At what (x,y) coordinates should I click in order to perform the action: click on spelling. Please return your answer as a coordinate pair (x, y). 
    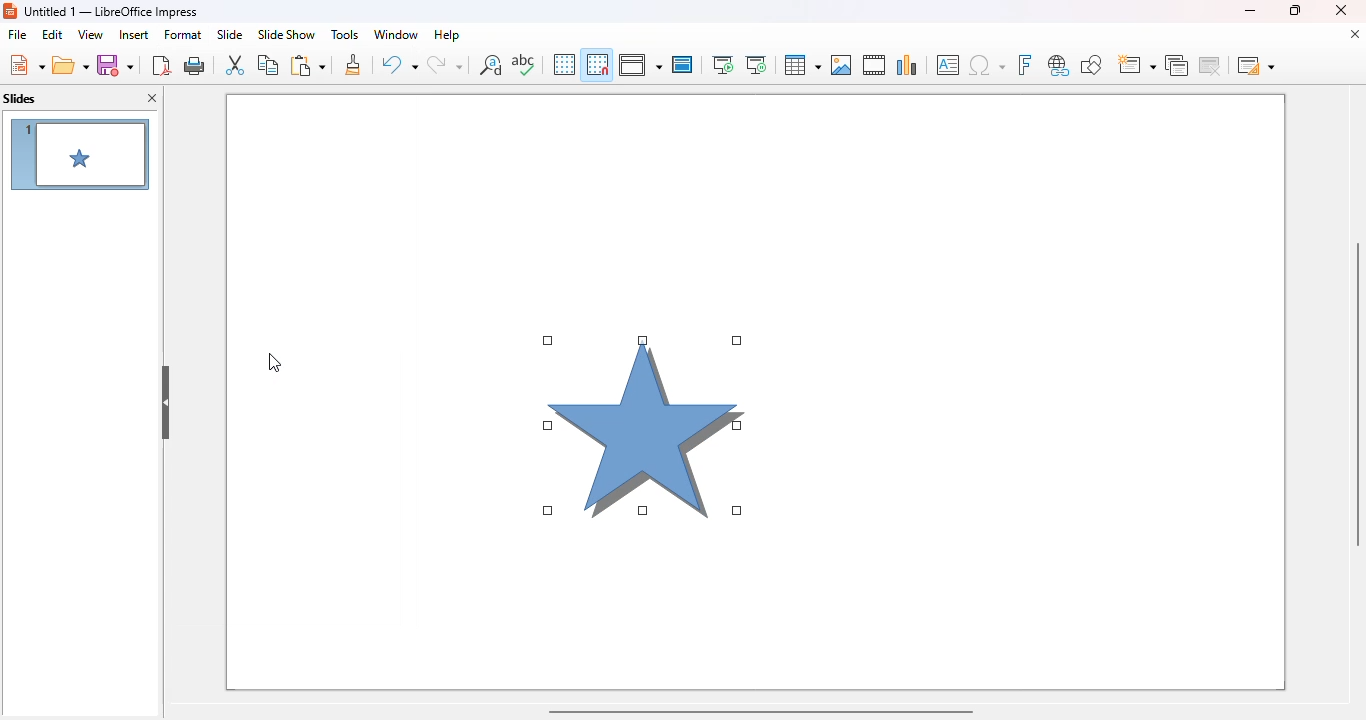
    Looking at the image, I should click on (523, 64).